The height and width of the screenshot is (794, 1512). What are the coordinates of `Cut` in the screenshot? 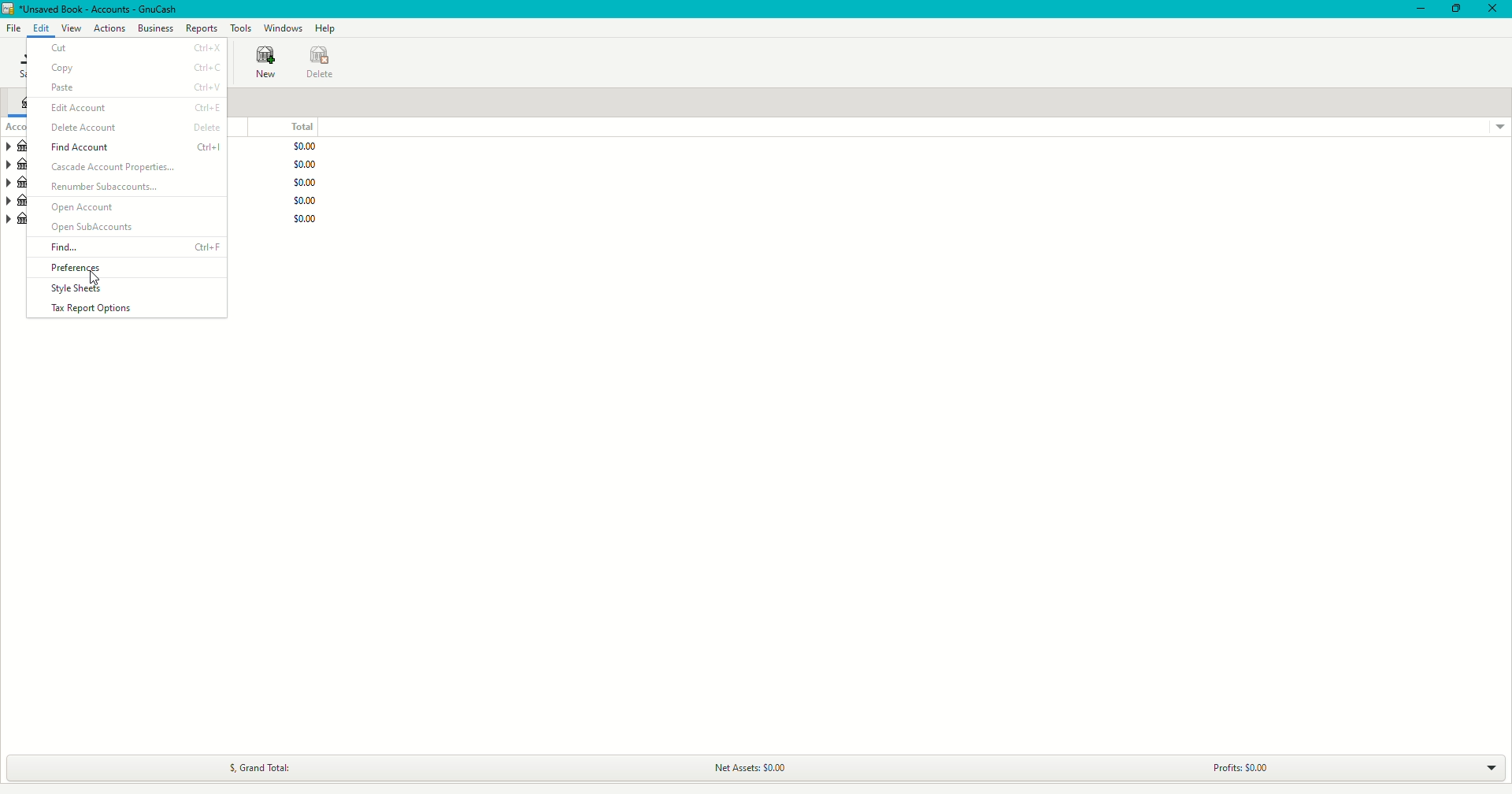 It's located at (132, 47).